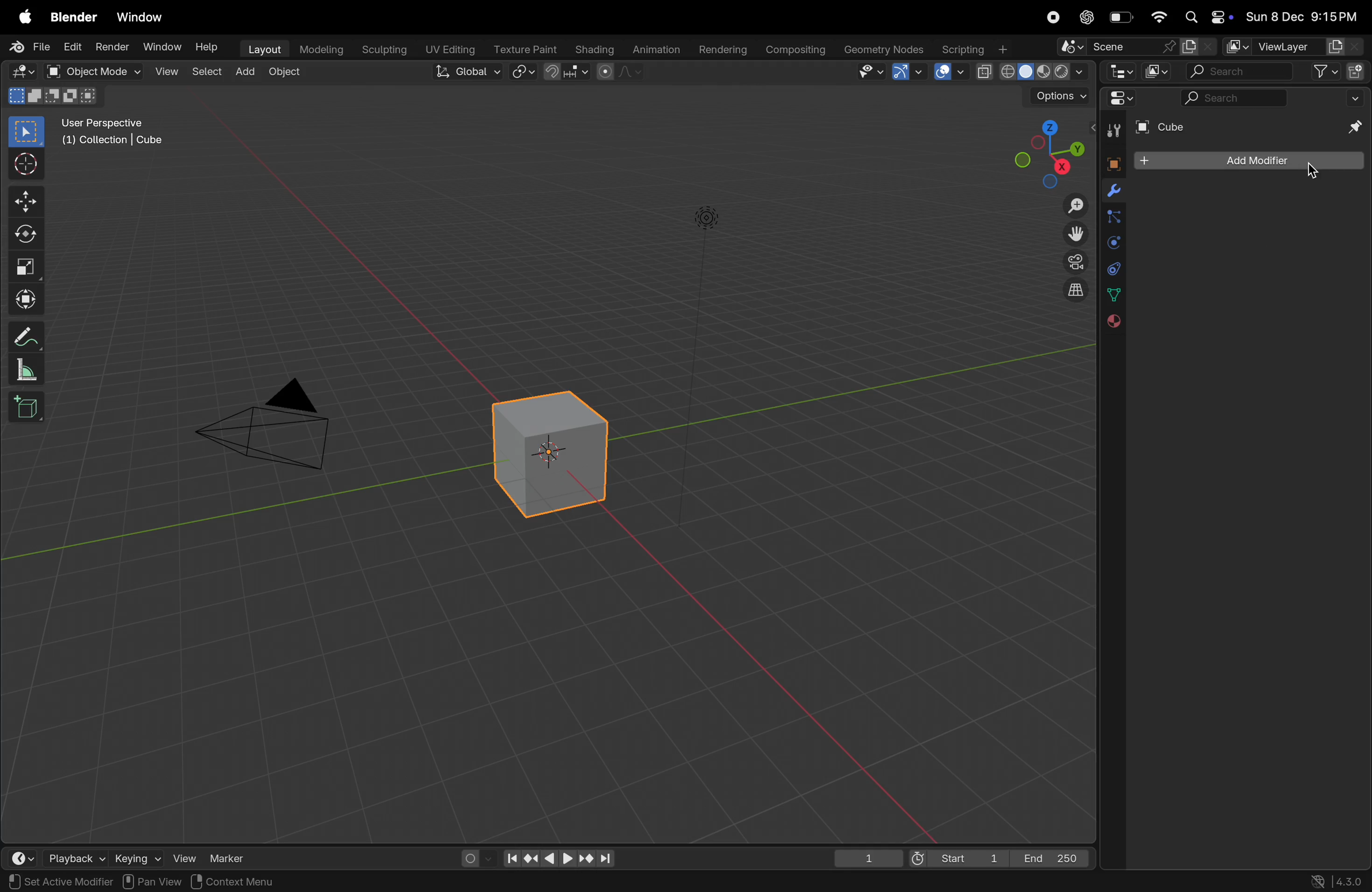 The width and height of the screenshot is (1372, 892). What do you see at coordinates (973, 50) in the screenshot?
I see `scripting` at bounding box center [973, 50].